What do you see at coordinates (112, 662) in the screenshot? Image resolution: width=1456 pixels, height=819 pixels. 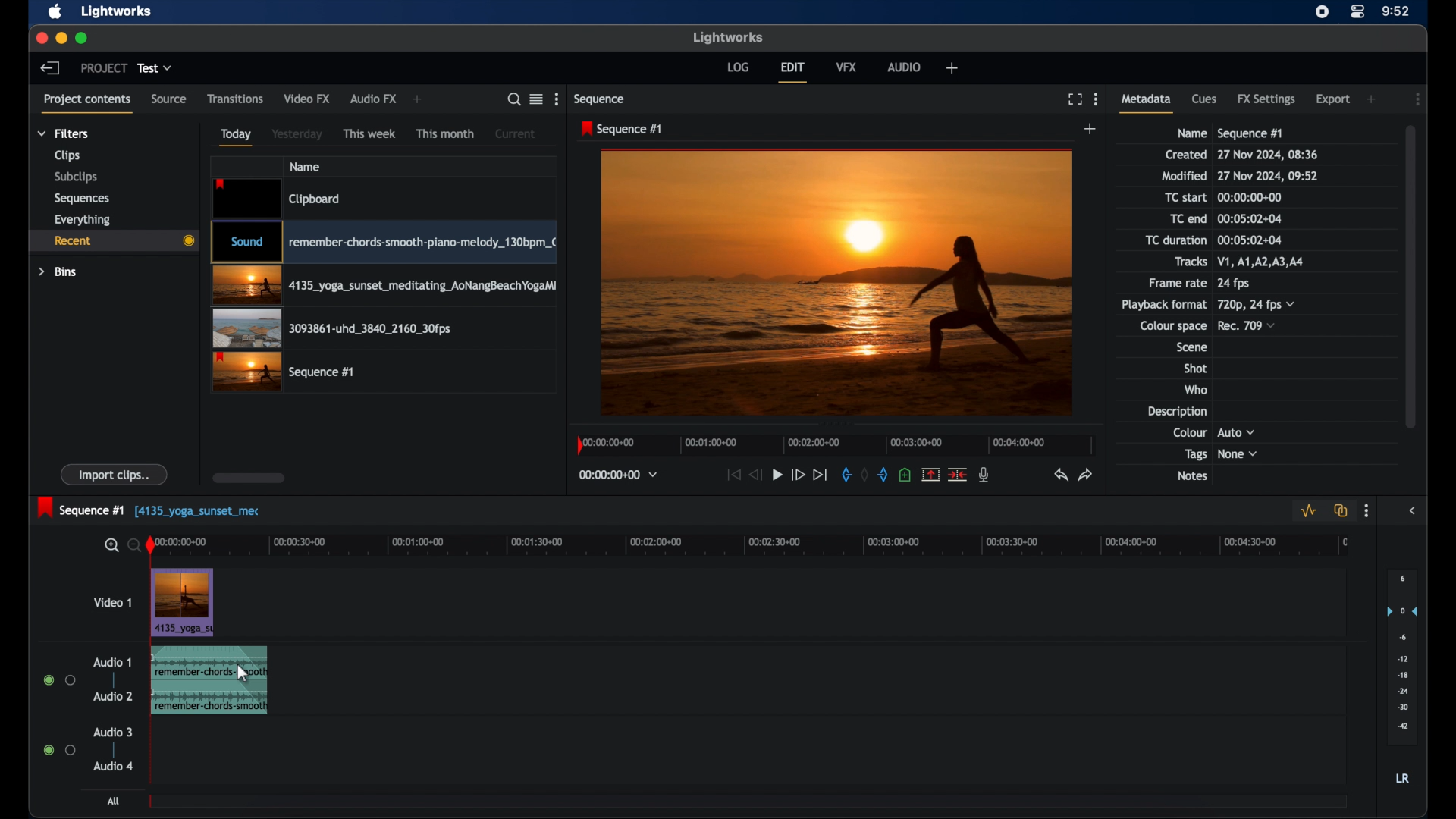 I see `audio 1` at bounding box center [112, 662].